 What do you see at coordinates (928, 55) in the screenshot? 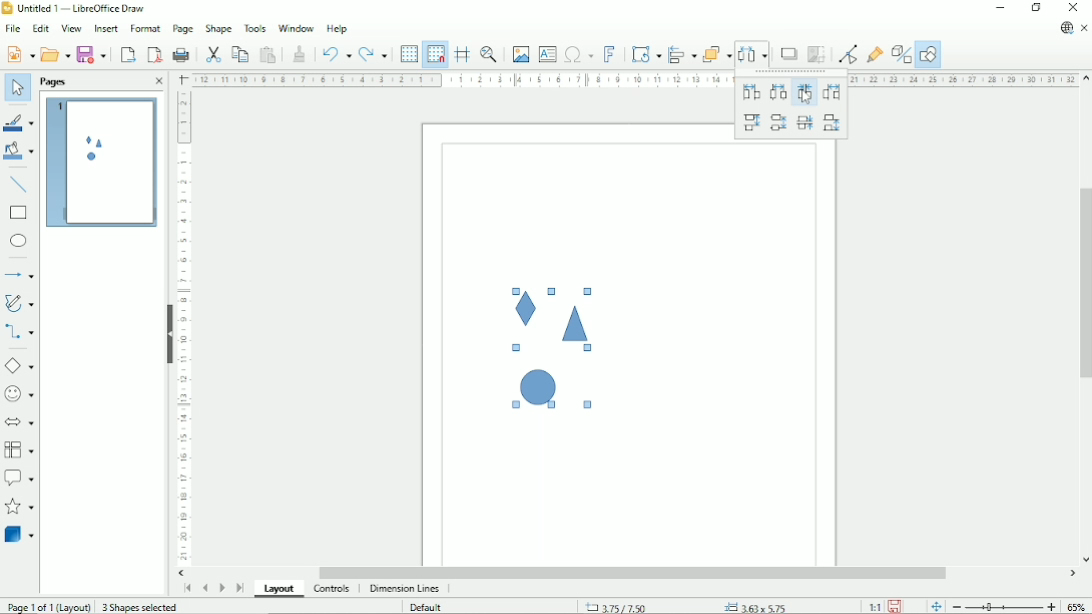
I see `Show draw functions` at bounding box center [928, 55].